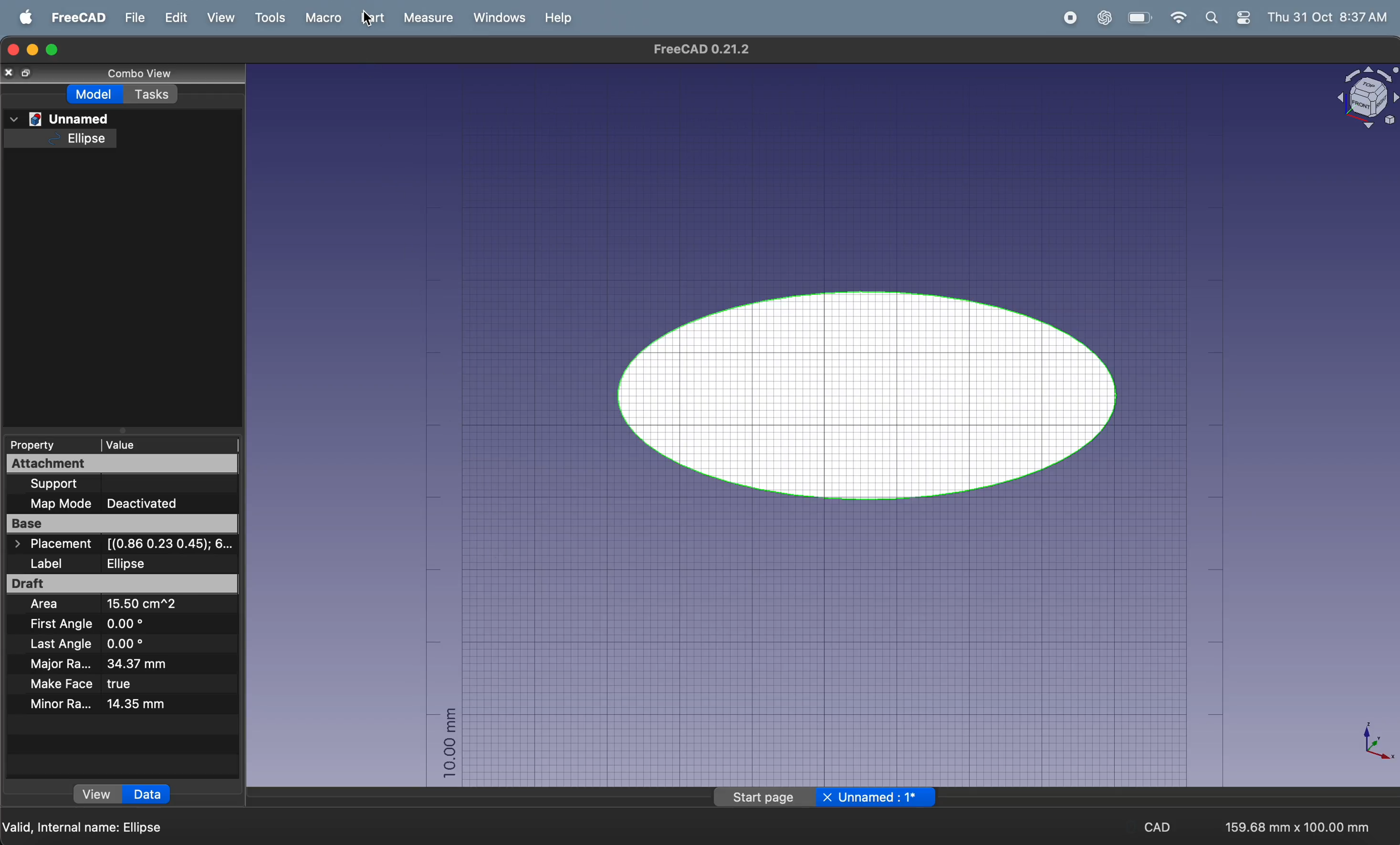  Describe the element at coordinates (423, 18) in the screenshot. I see `measure` at that location.